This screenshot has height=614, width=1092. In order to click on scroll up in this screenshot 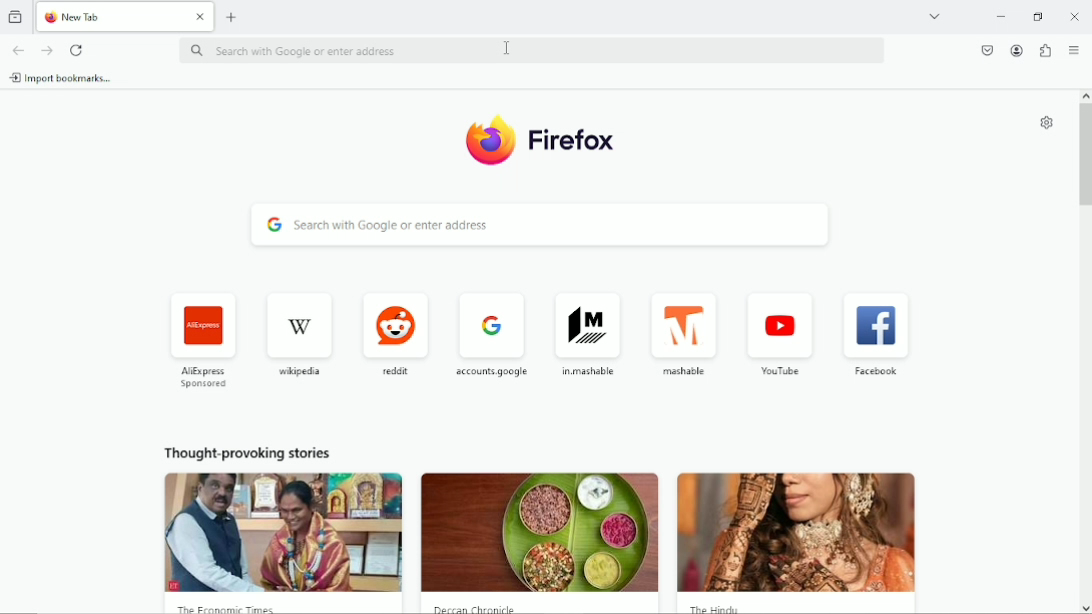, I will do `click(1084, 93)`.